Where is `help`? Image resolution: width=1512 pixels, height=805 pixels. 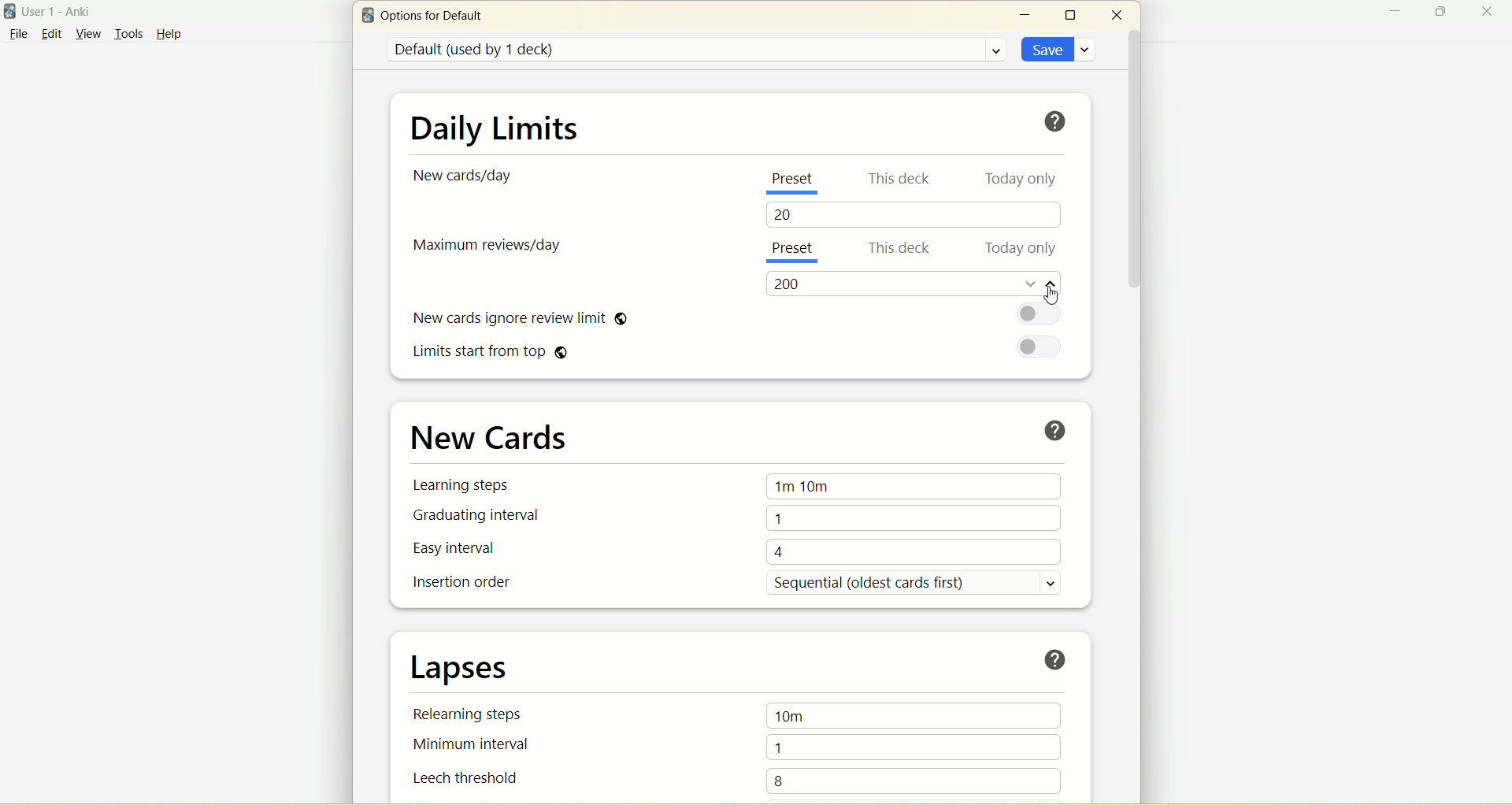
help is located at coordinates (178, 35).